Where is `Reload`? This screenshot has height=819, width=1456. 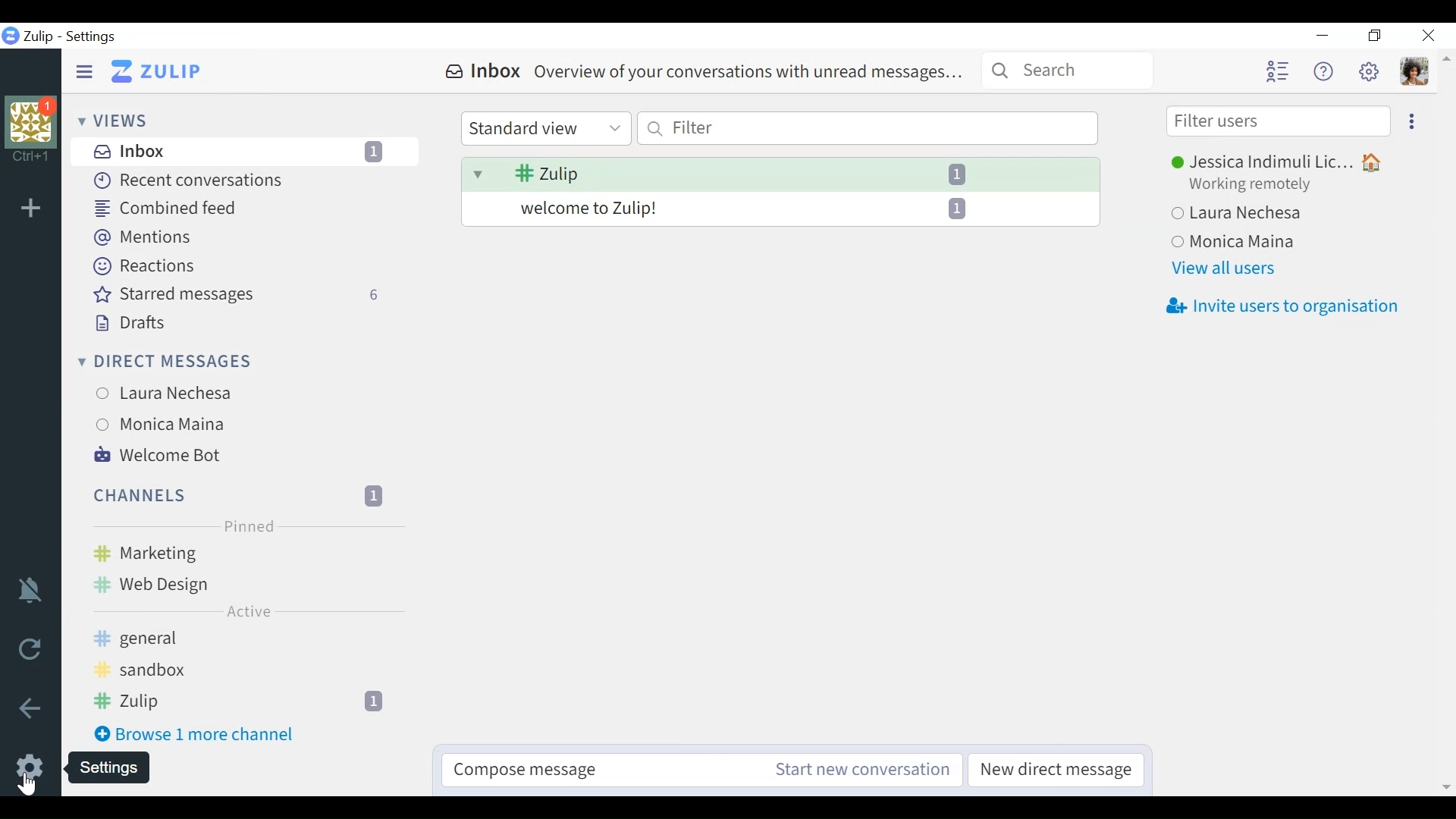
Reload is located at coordinates (30, 648).